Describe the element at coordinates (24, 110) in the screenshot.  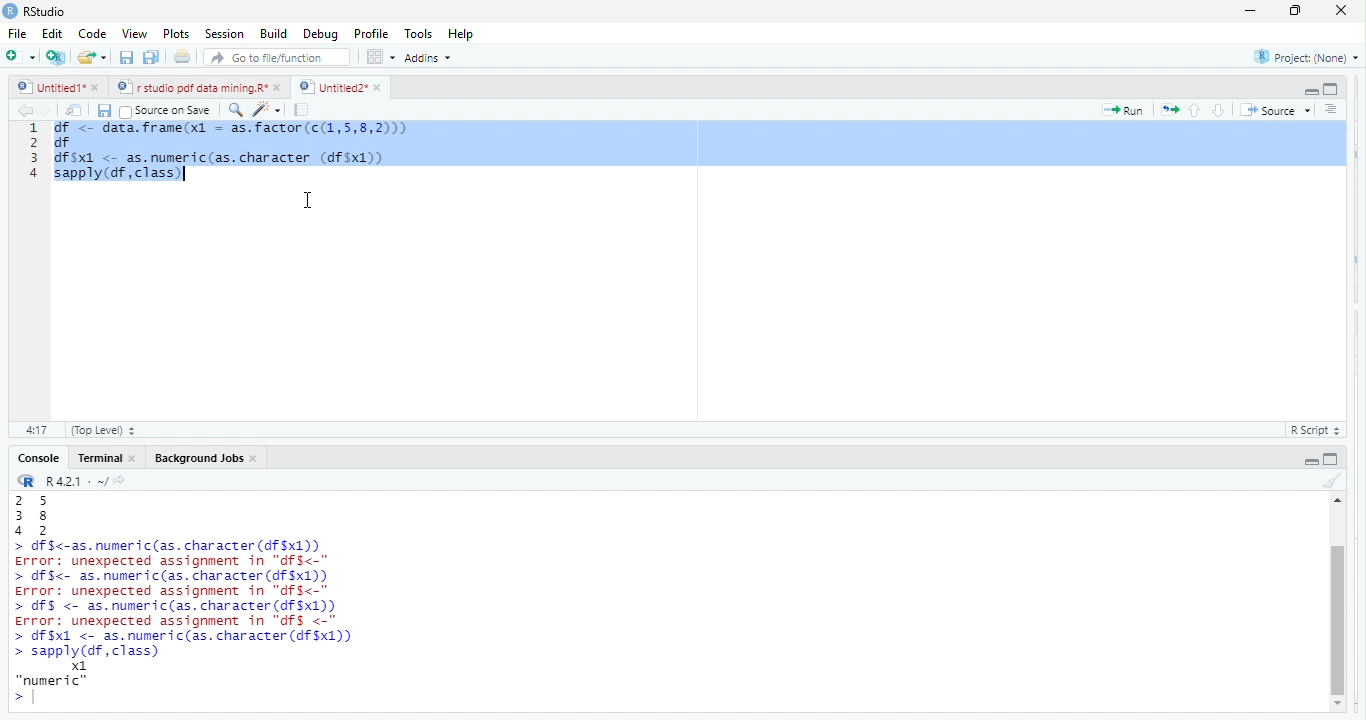
I see `go back to the previous source location` at that location.